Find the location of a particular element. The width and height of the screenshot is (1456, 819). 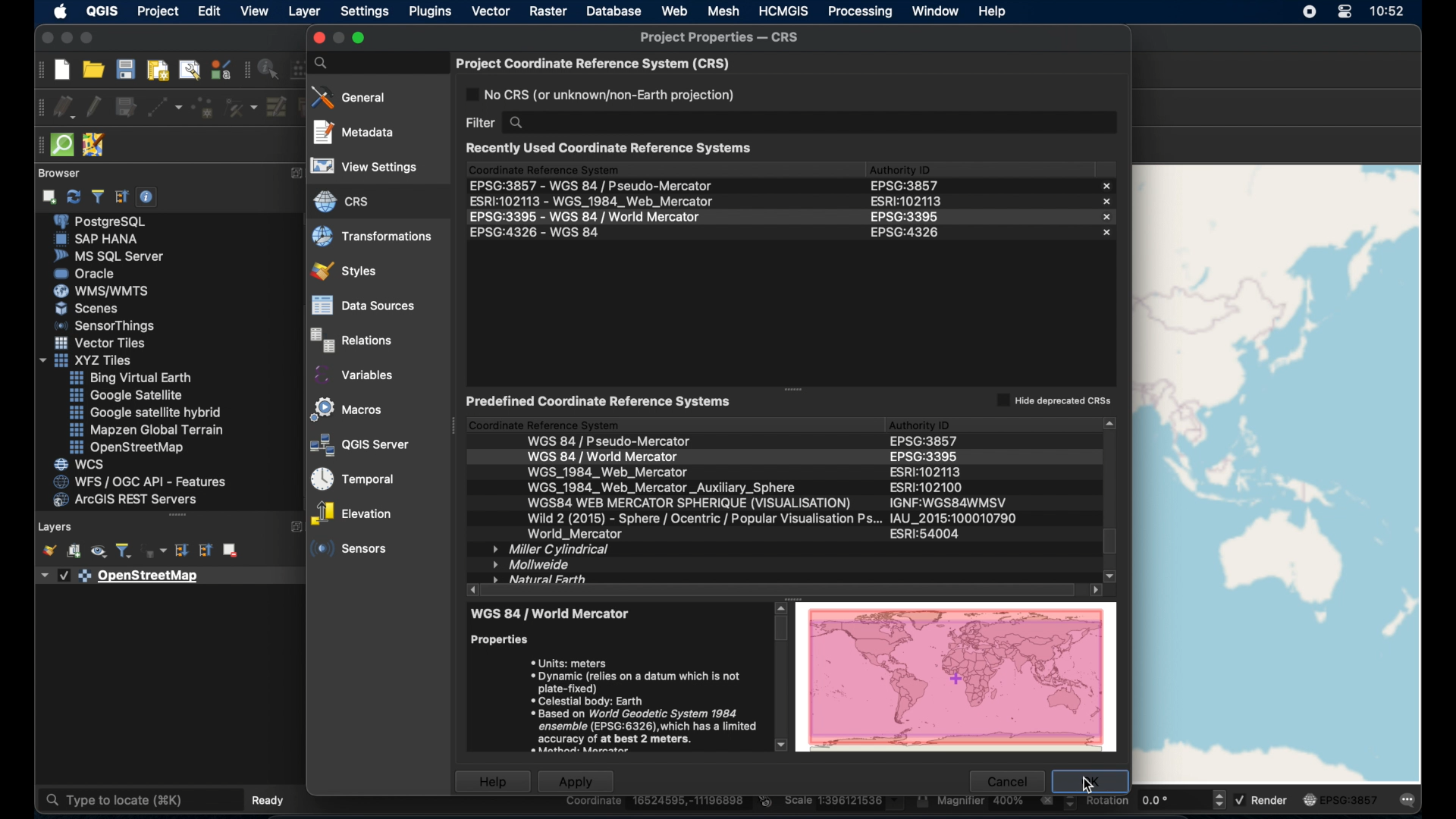

edit is located at coordinates (209, 11).